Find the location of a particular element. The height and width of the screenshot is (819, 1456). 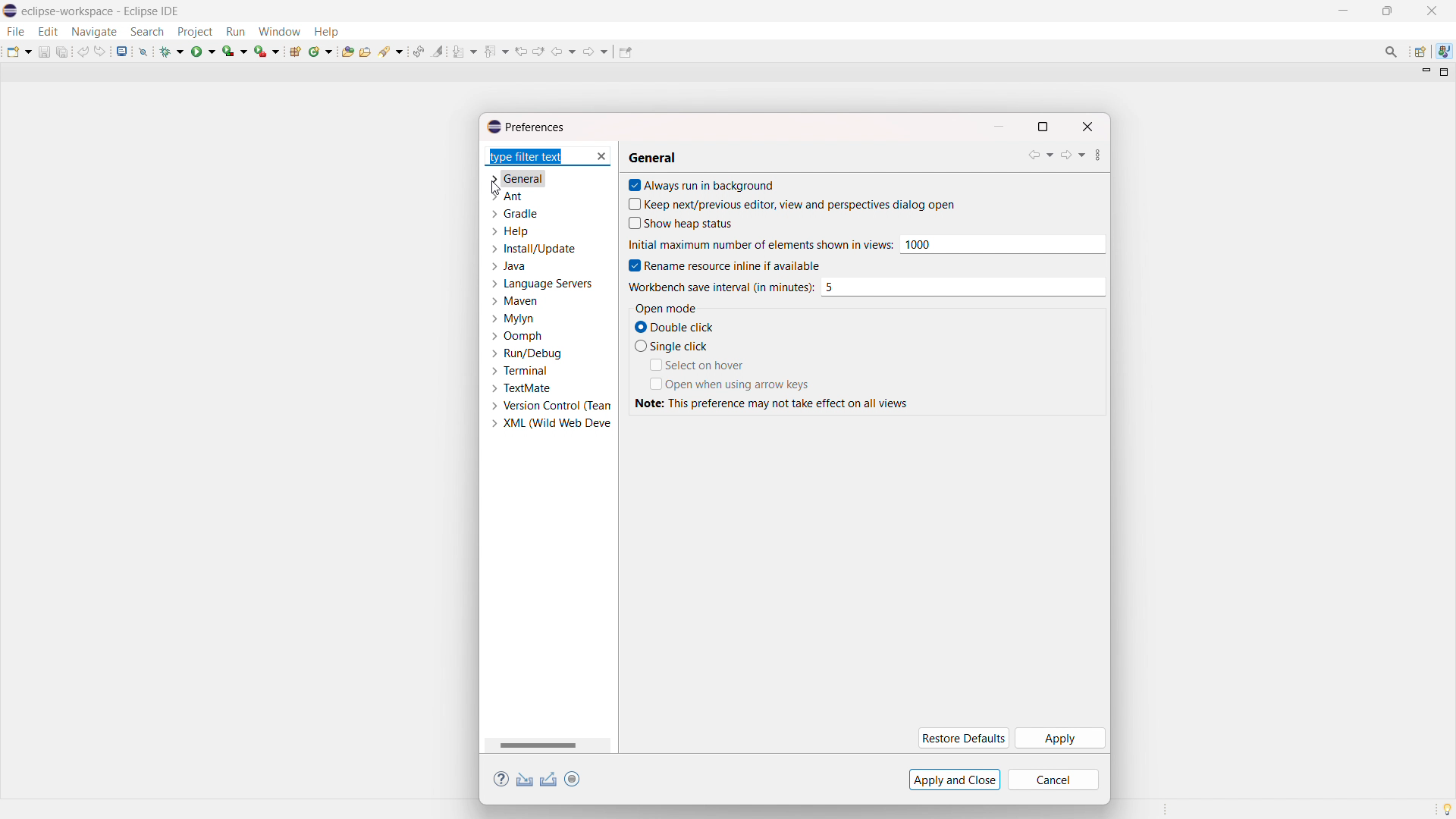

cursor is located at coordinates (759, 244).